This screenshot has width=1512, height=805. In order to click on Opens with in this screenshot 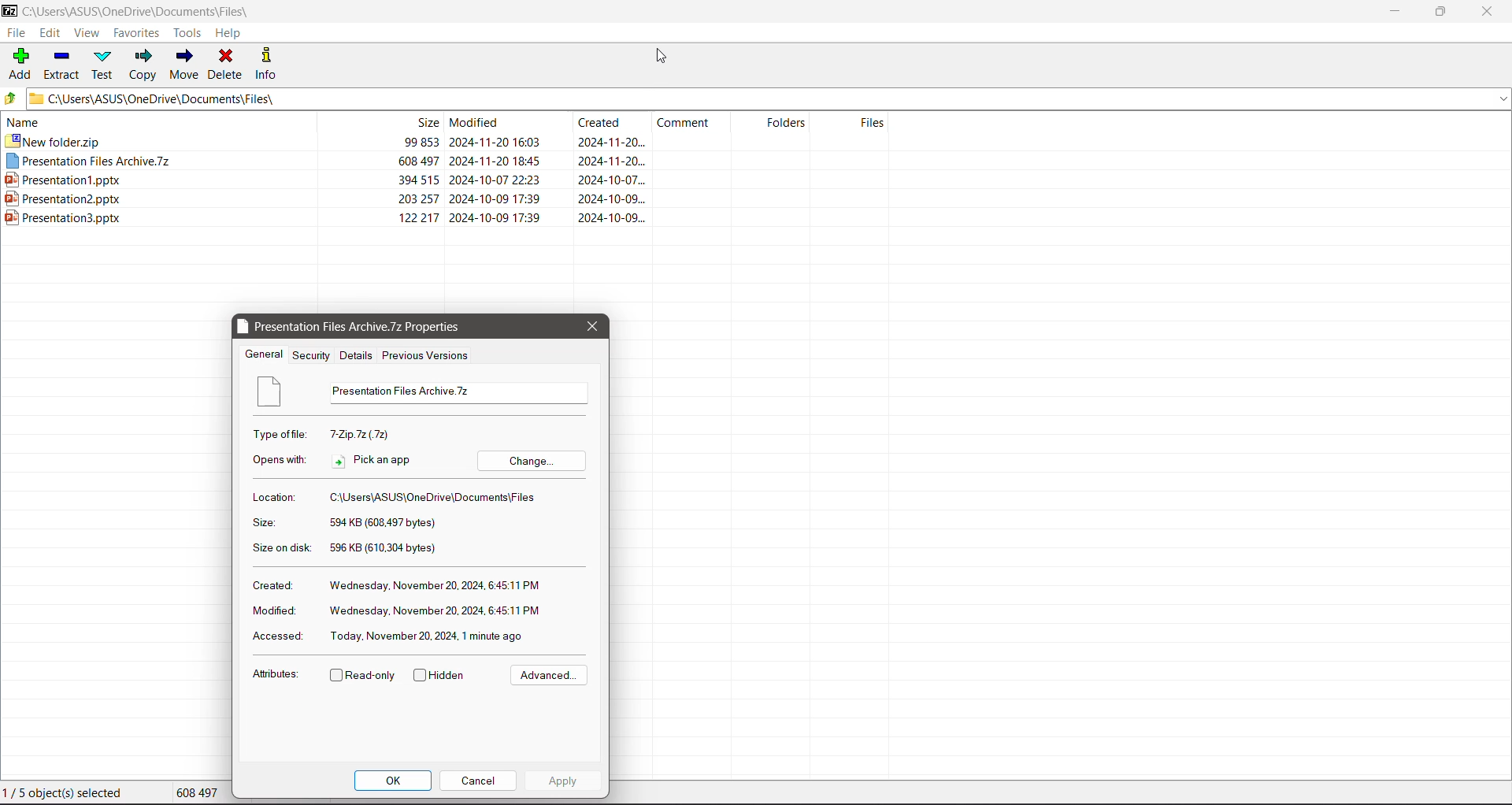, I will do `click(280, 458)`.